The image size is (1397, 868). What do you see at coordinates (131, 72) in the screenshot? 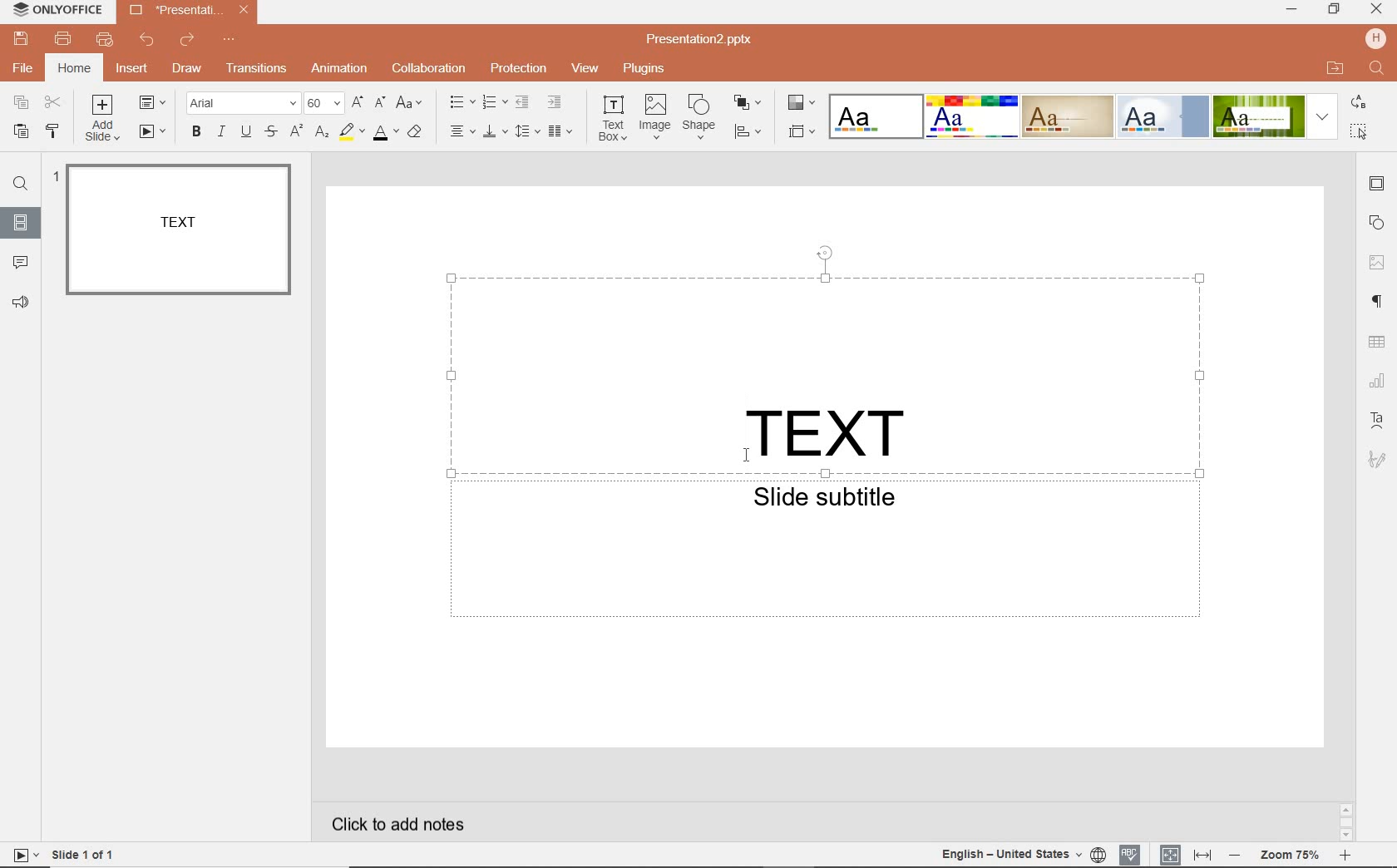
I see `INSERT` at bounding box center [131, 72].